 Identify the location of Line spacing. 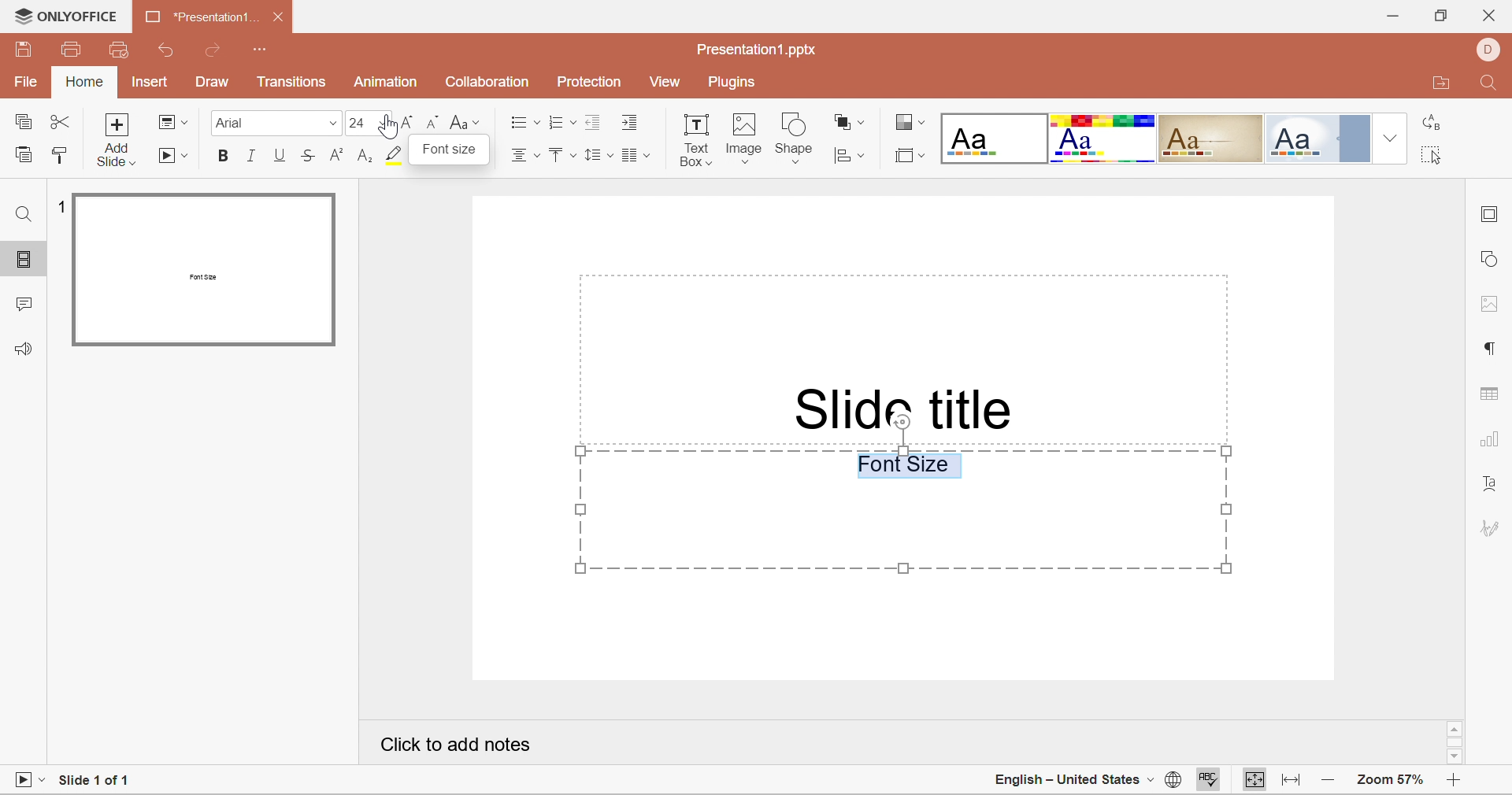
(596, 157).